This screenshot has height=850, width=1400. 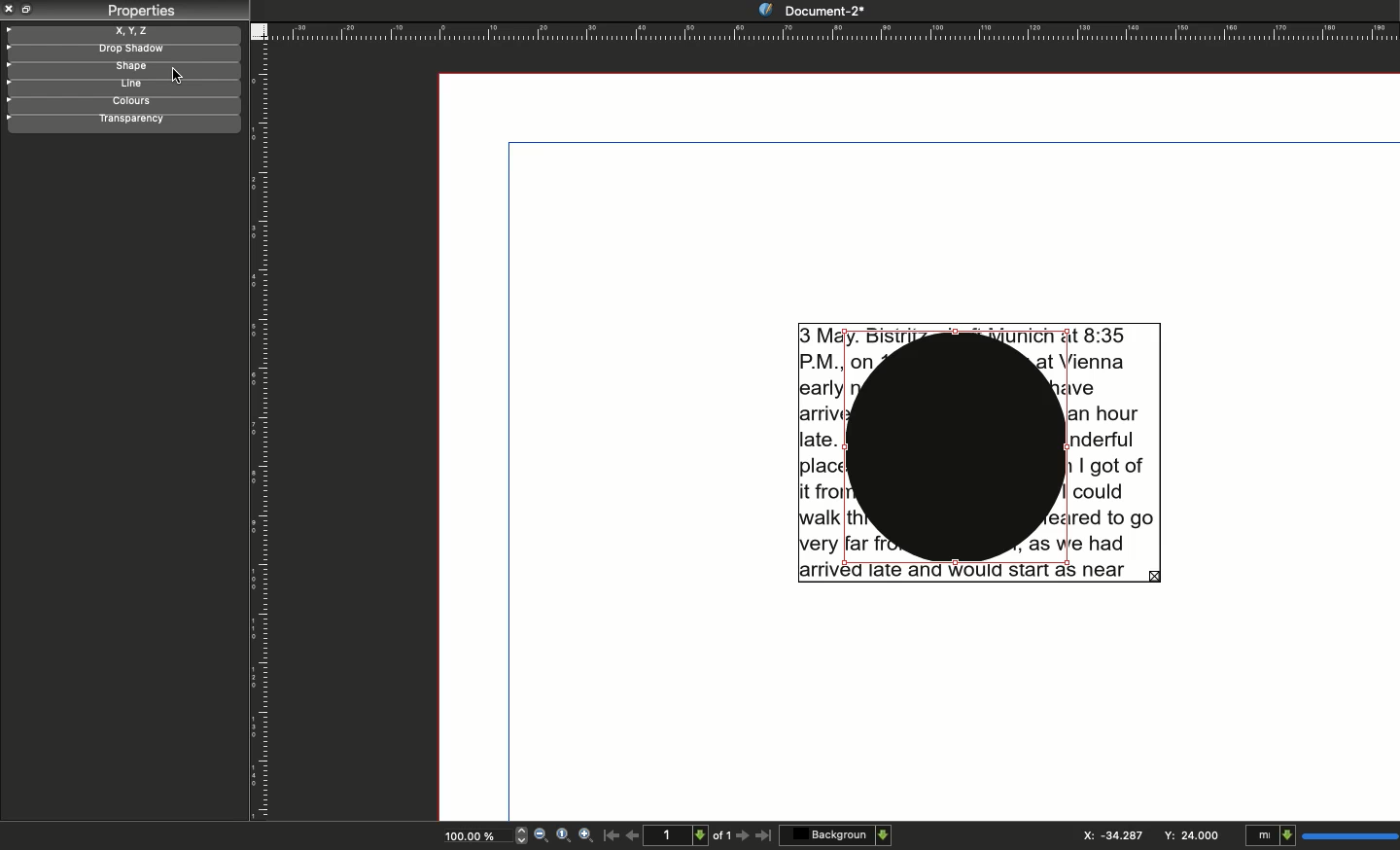 I want to click on Transparency, so click(x=142, y=122).